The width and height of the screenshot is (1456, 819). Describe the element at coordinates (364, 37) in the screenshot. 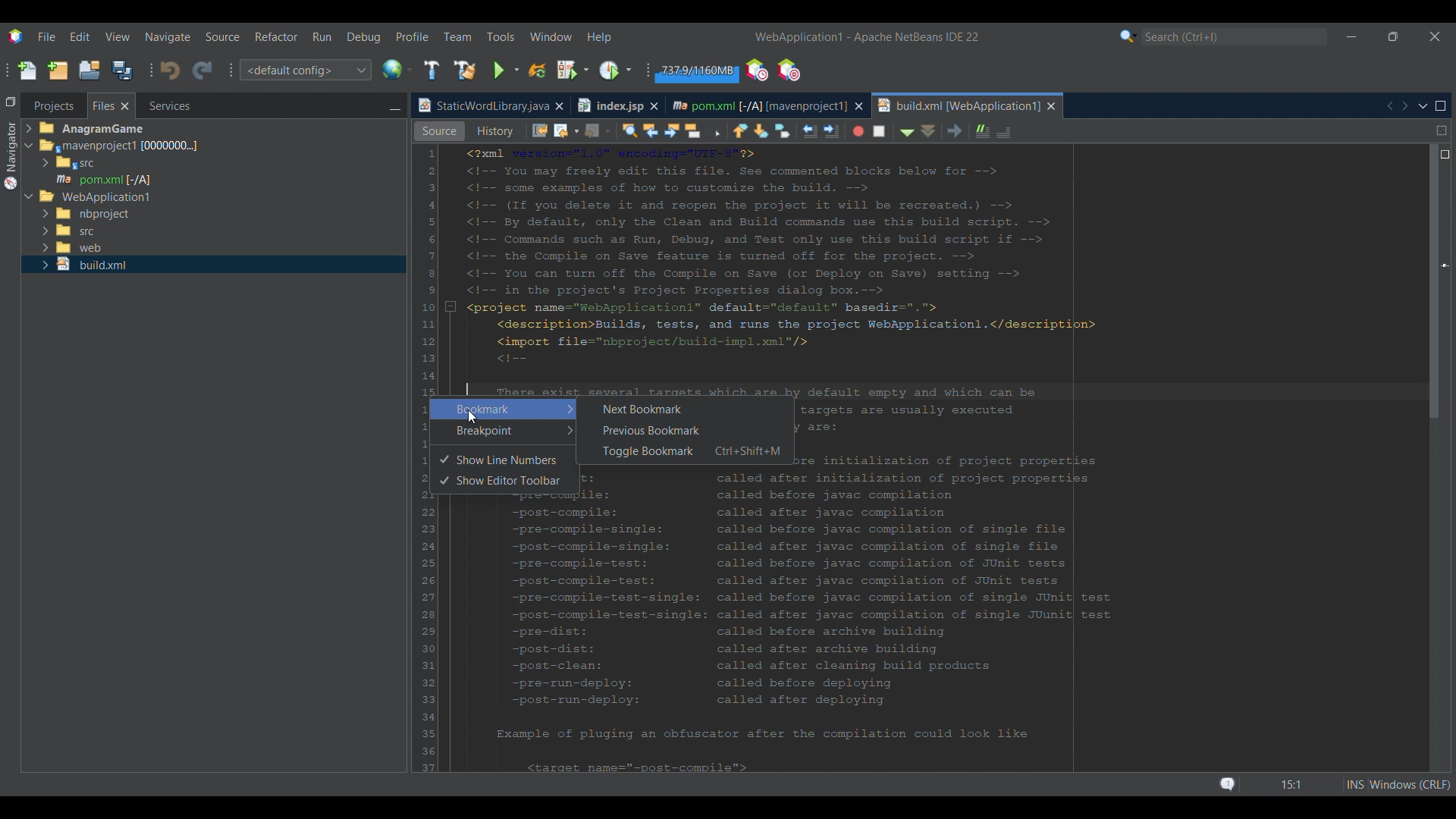

I see `Debug menu` at that location.